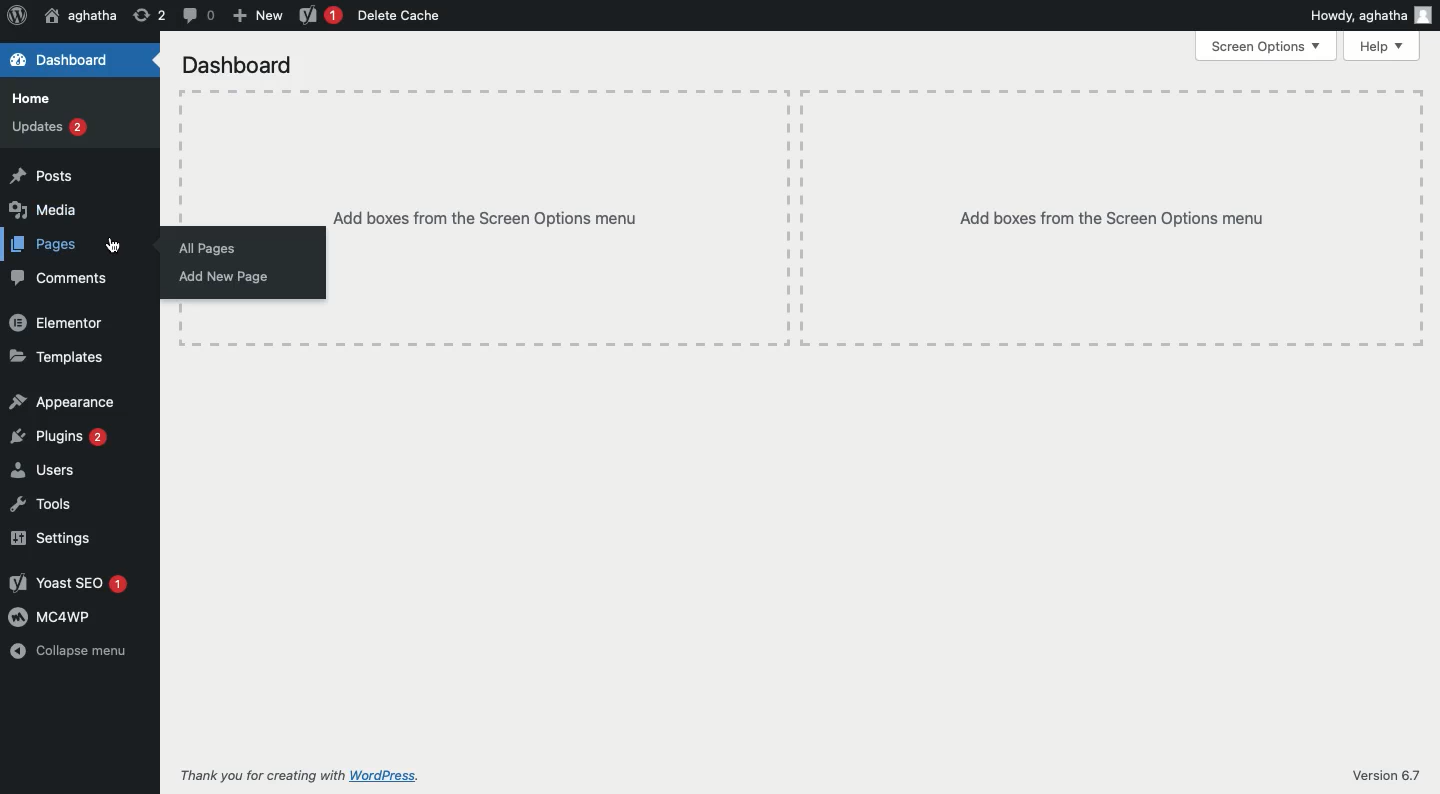  I want to click on Howdy user, so click(1371, 15).